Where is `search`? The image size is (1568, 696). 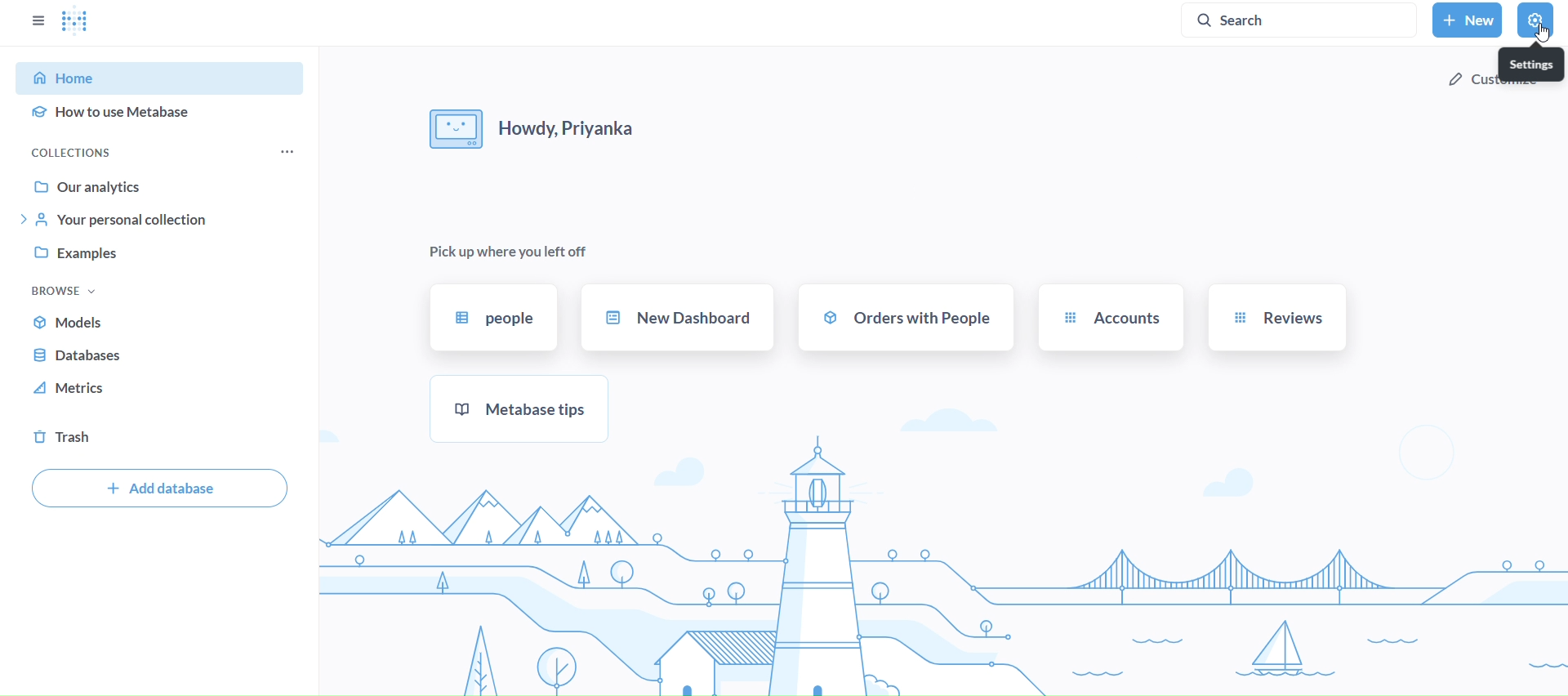
search is located at coordinates (1304, 20).